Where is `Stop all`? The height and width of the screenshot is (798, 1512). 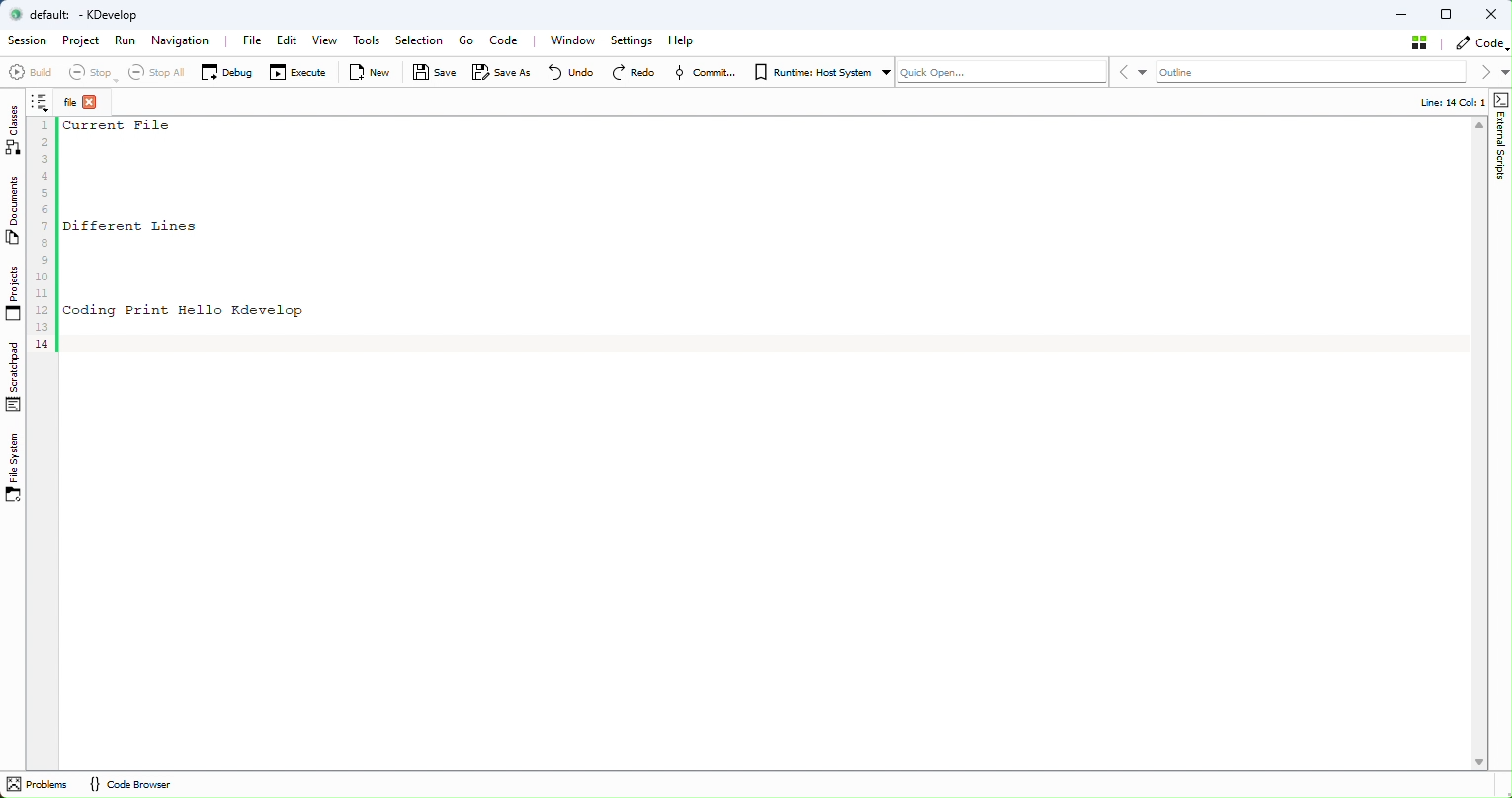 Stop all is located at coordinates (151, 72).